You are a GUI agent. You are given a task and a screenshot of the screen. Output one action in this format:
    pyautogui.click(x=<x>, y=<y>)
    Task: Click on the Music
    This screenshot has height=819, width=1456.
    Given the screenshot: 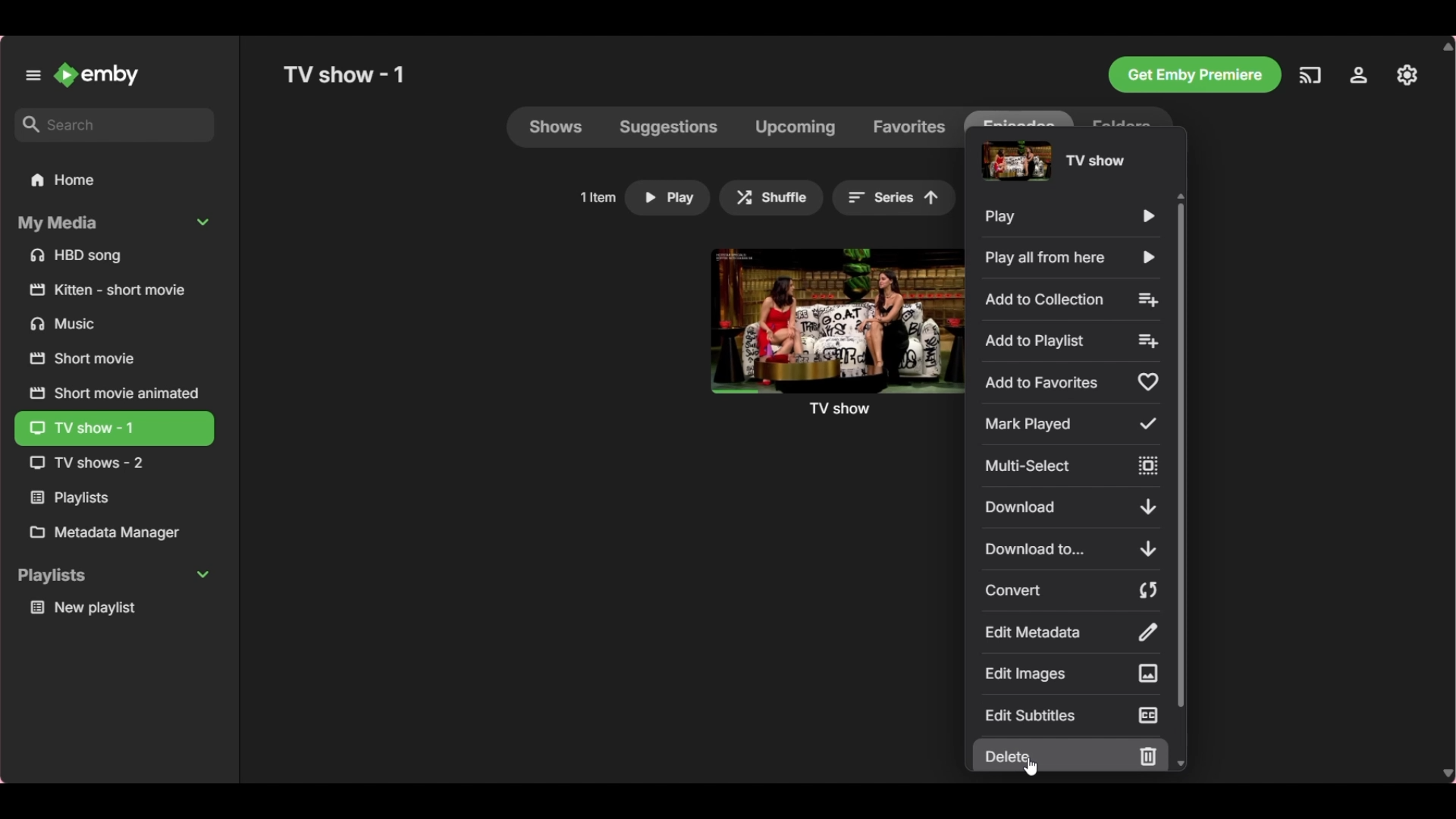 What is the action you would take?
    pyautogui.click(x=115, y=323)
    